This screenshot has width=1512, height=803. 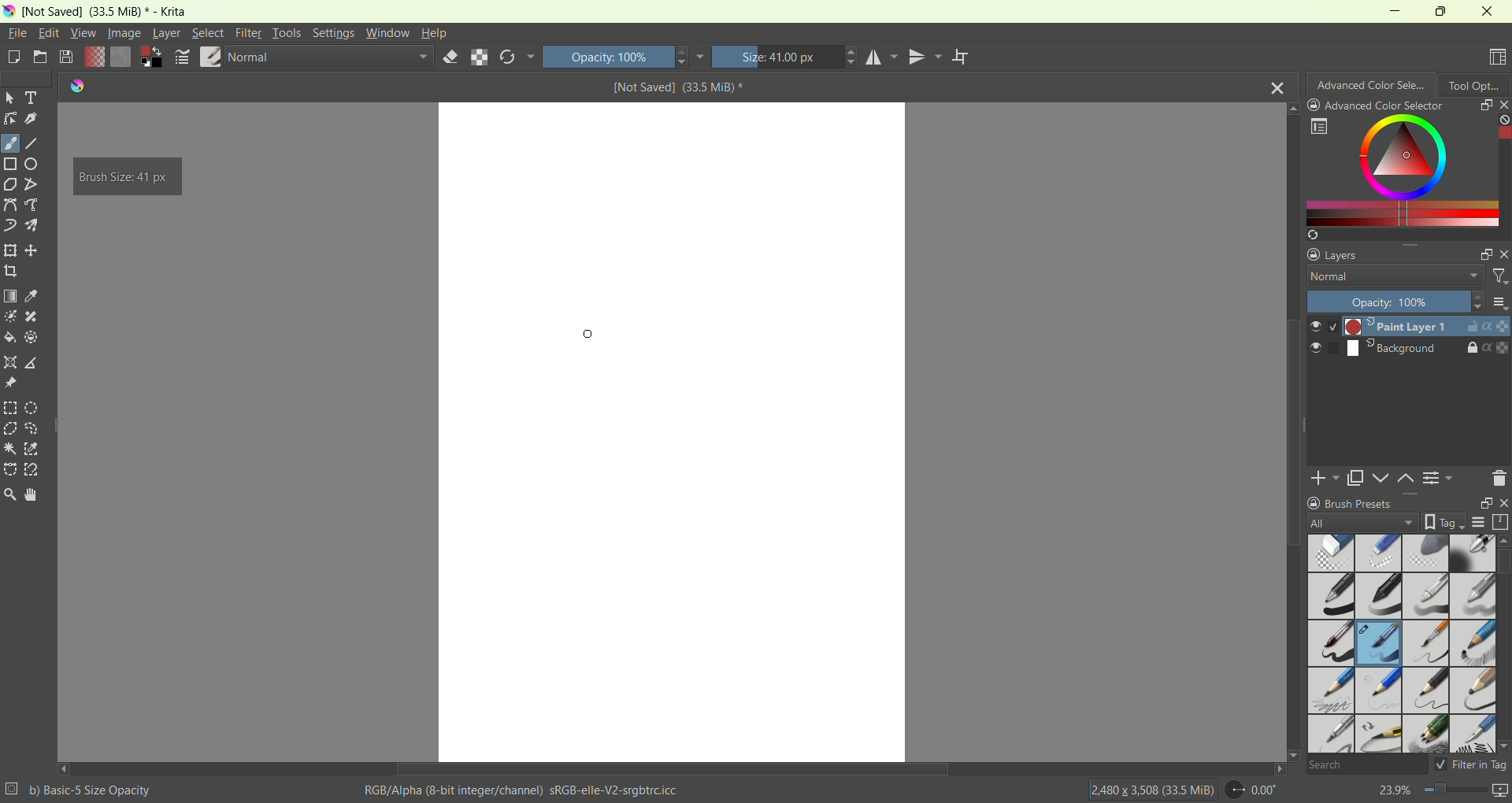 What do you see at coordinates (1475, 83) in the screenshot?
I see `tool option` at bounding box center [1475, 83].